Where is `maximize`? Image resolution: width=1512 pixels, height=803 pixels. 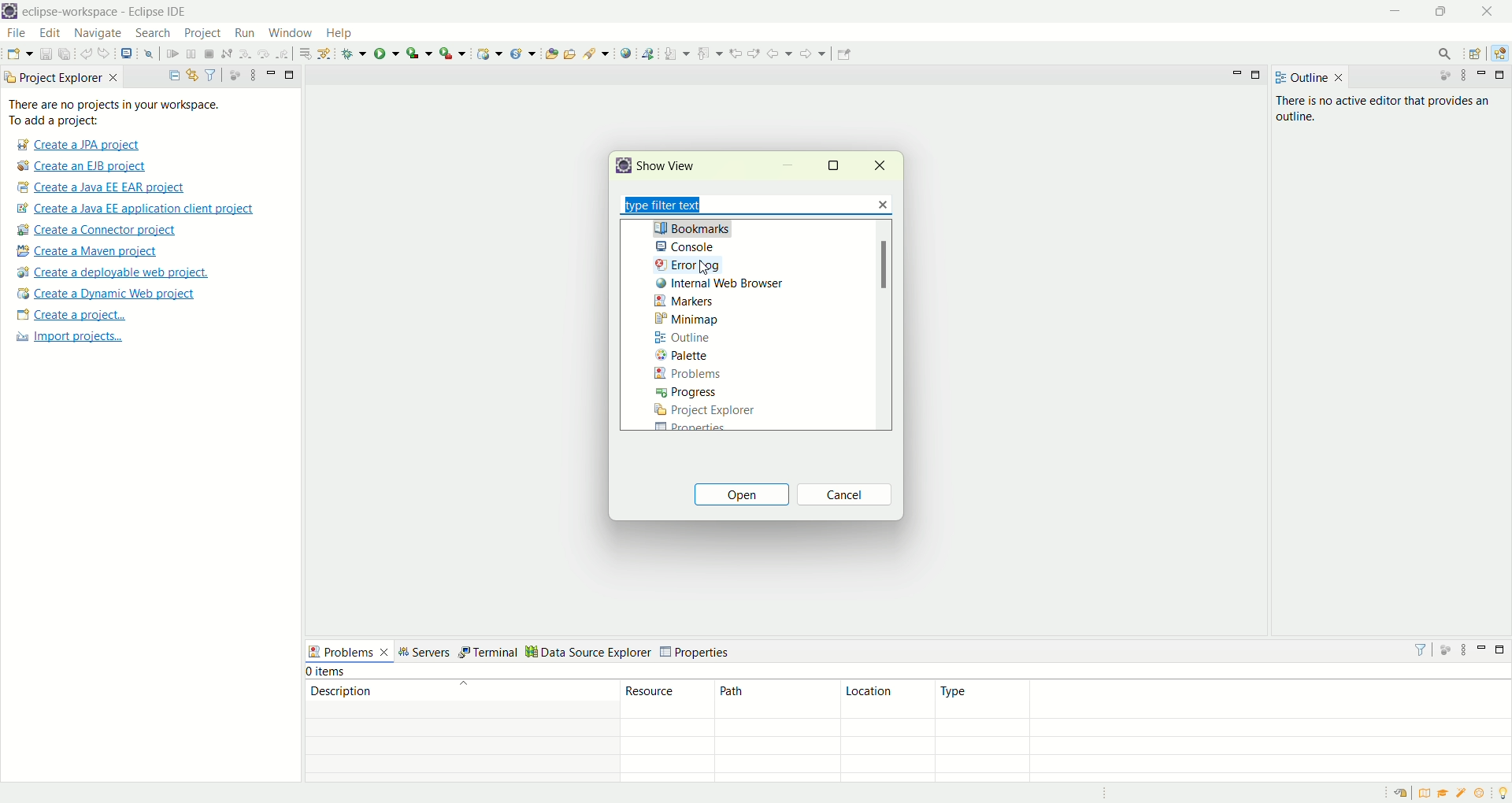 maximize is located at coordinates (1501, 76).